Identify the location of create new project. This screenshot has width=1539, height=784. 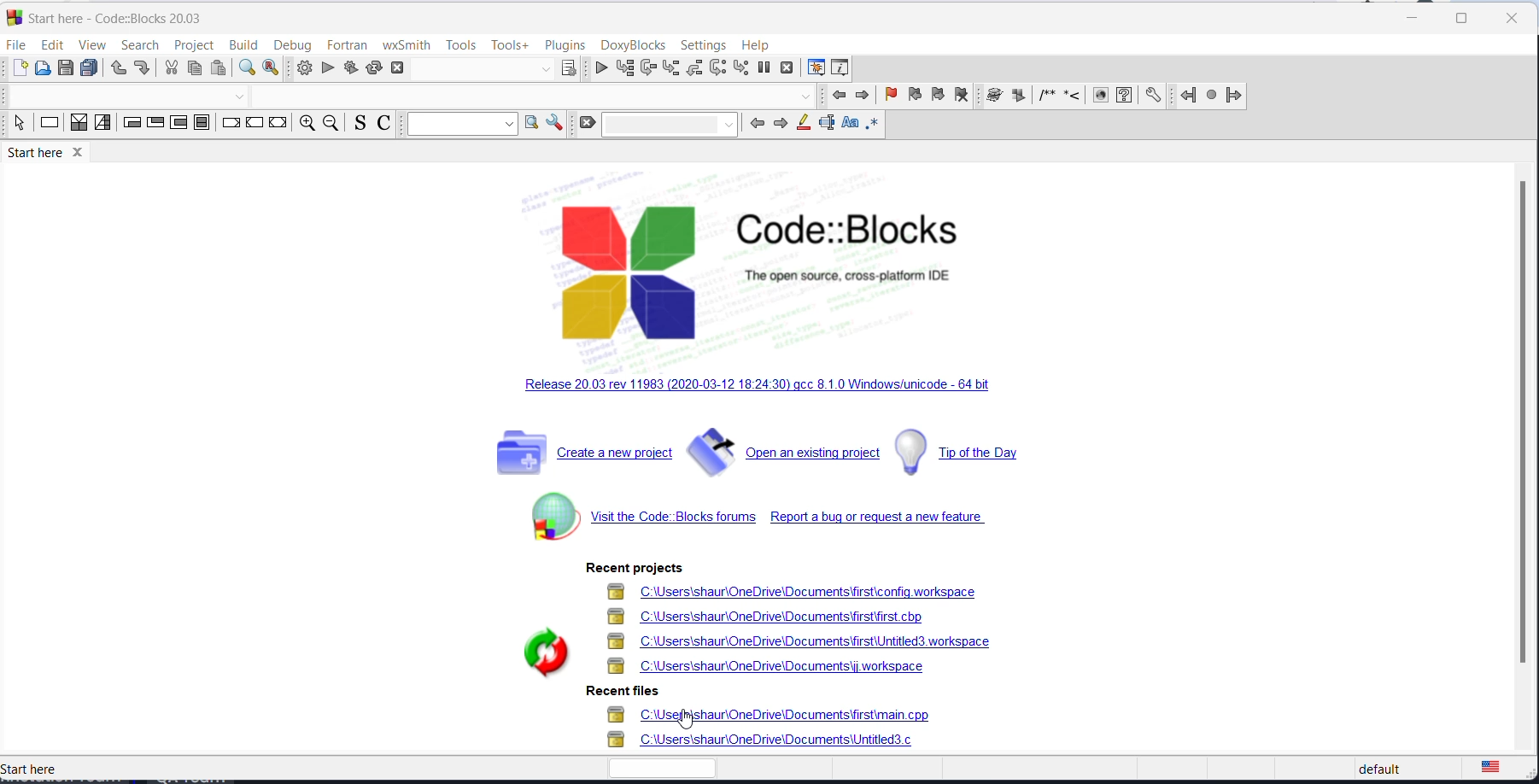
(572, 456).